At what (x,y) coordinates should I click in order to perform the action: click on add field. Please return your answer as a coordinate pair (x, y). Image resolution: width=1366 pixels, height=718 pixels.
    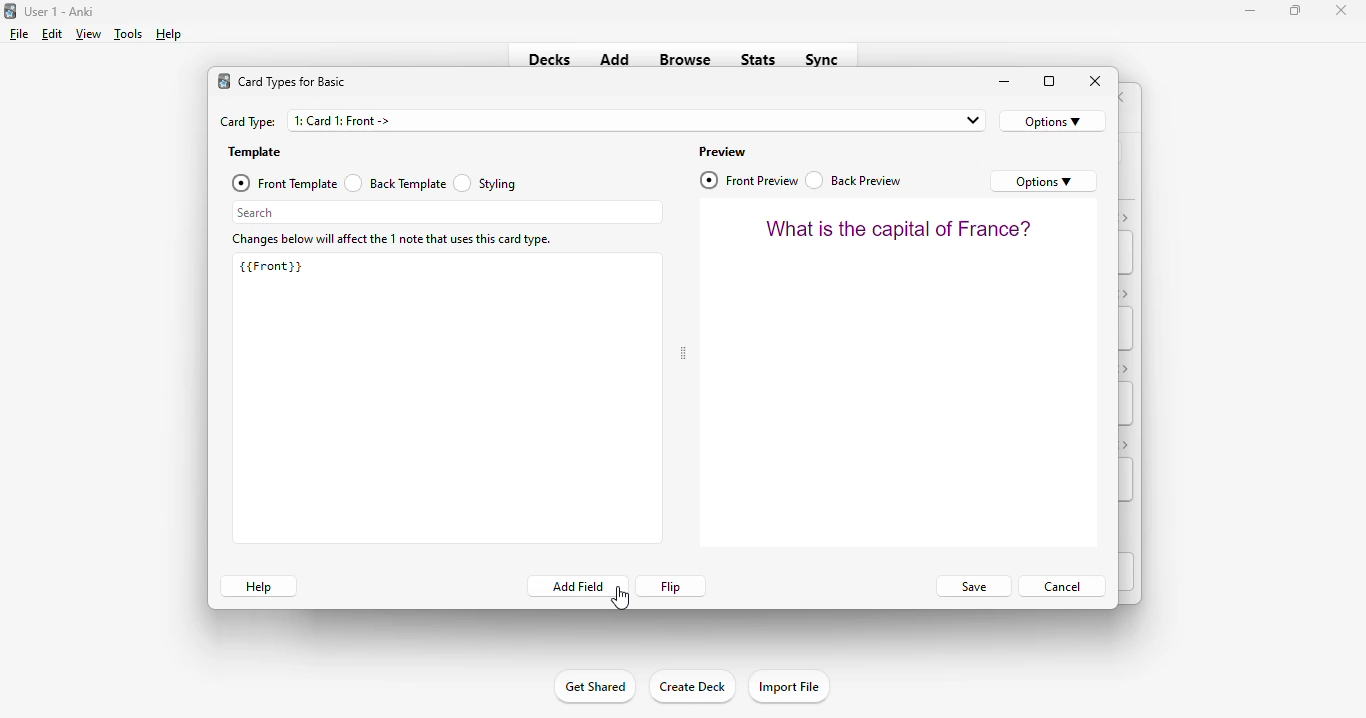
    Looking at the image, I should click on (577, 586).